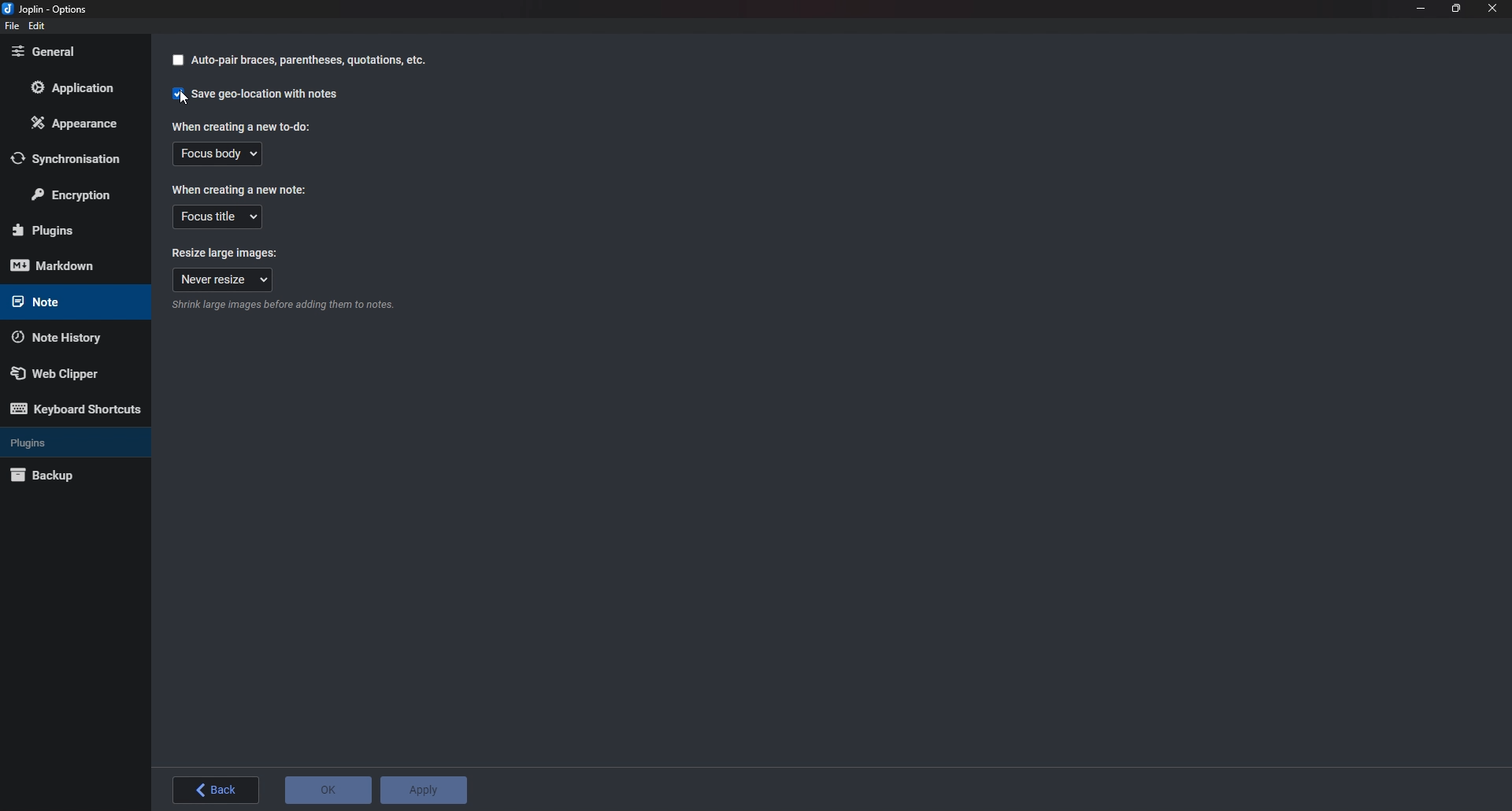 The image size is (1512, 811). I want to click on Never resize, so click(222, 280).